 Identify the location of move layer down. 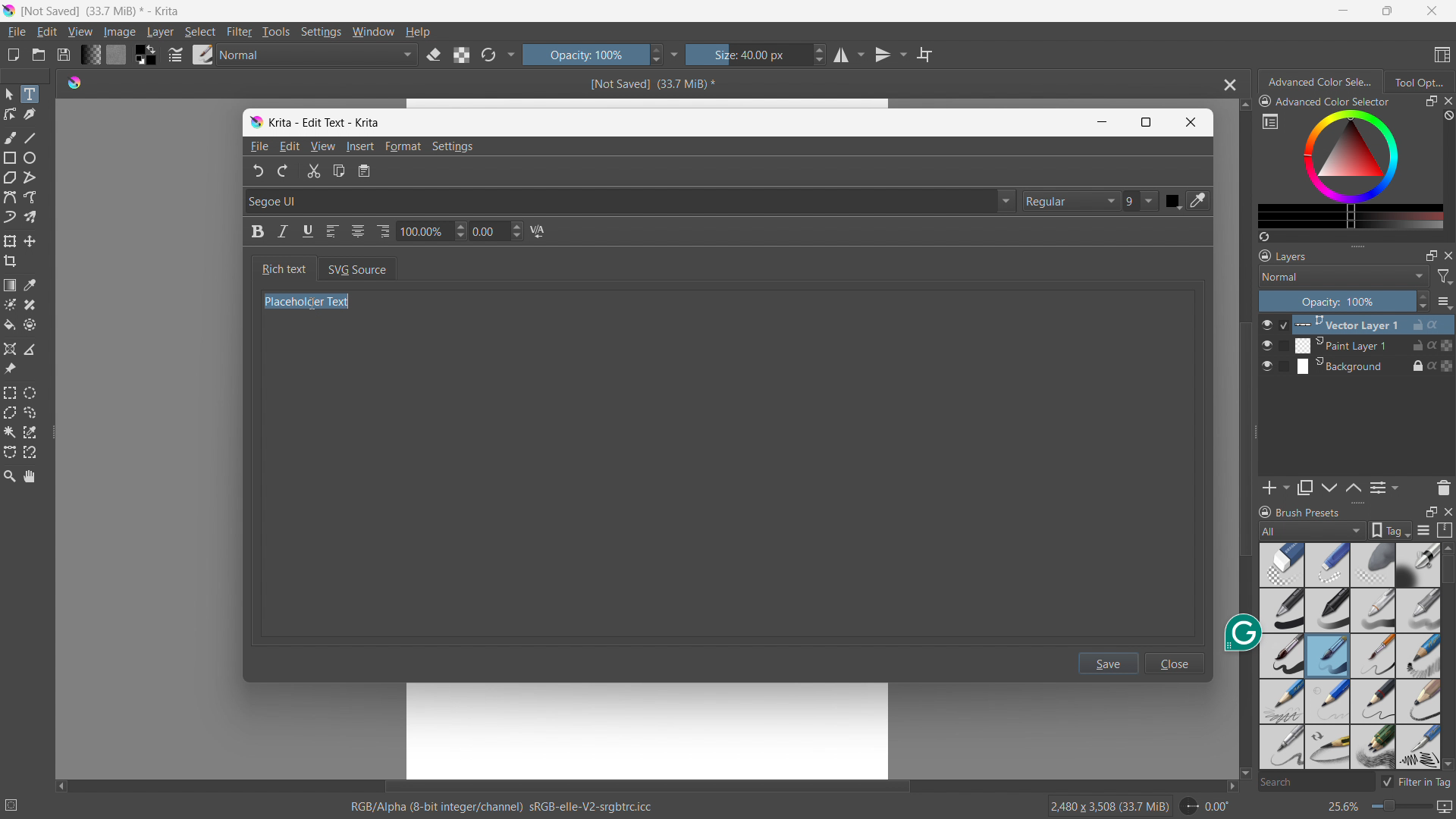
(1353, 487).